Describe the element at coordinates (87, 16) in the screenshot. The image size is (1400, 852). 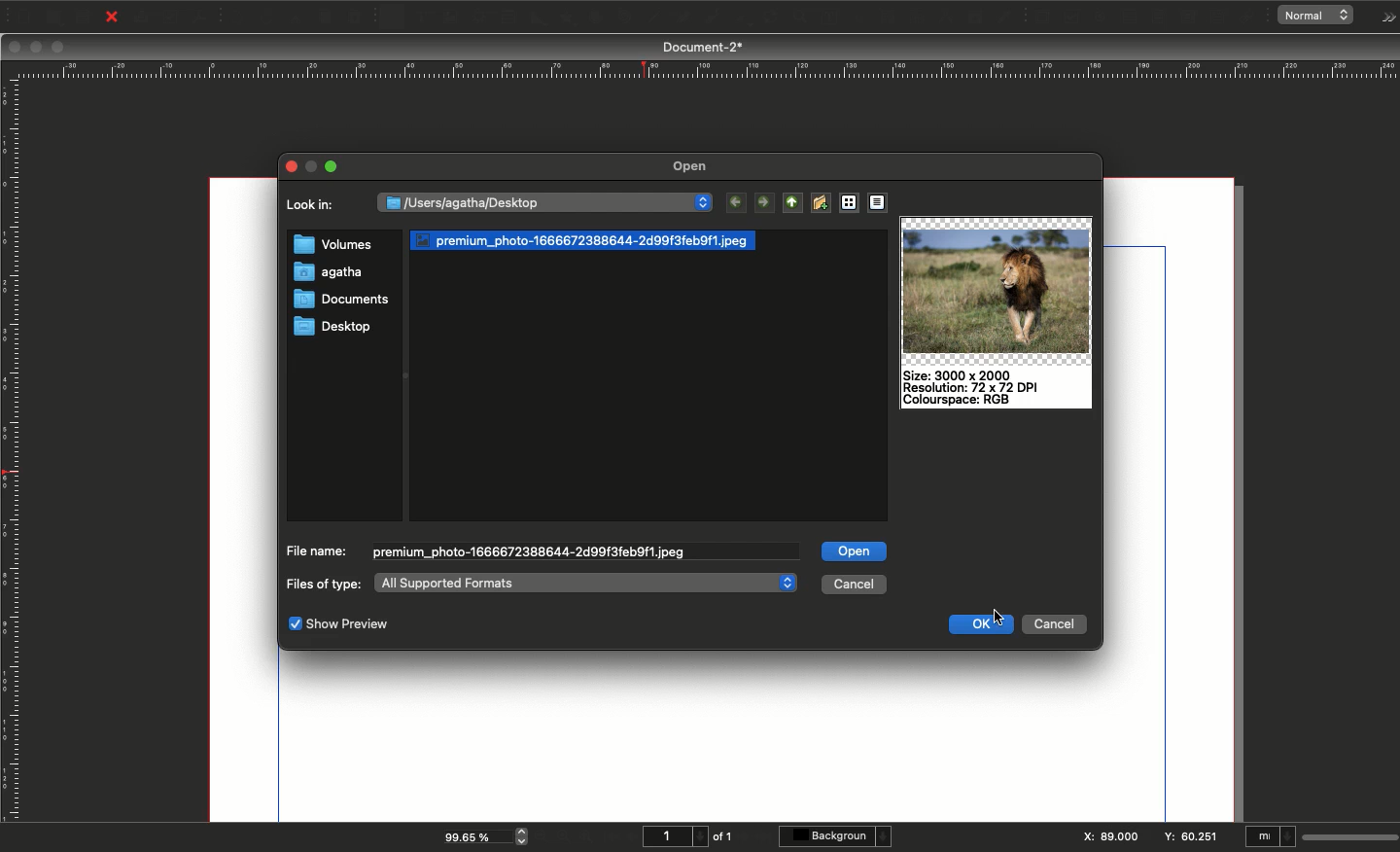
I see `Save` at that location.